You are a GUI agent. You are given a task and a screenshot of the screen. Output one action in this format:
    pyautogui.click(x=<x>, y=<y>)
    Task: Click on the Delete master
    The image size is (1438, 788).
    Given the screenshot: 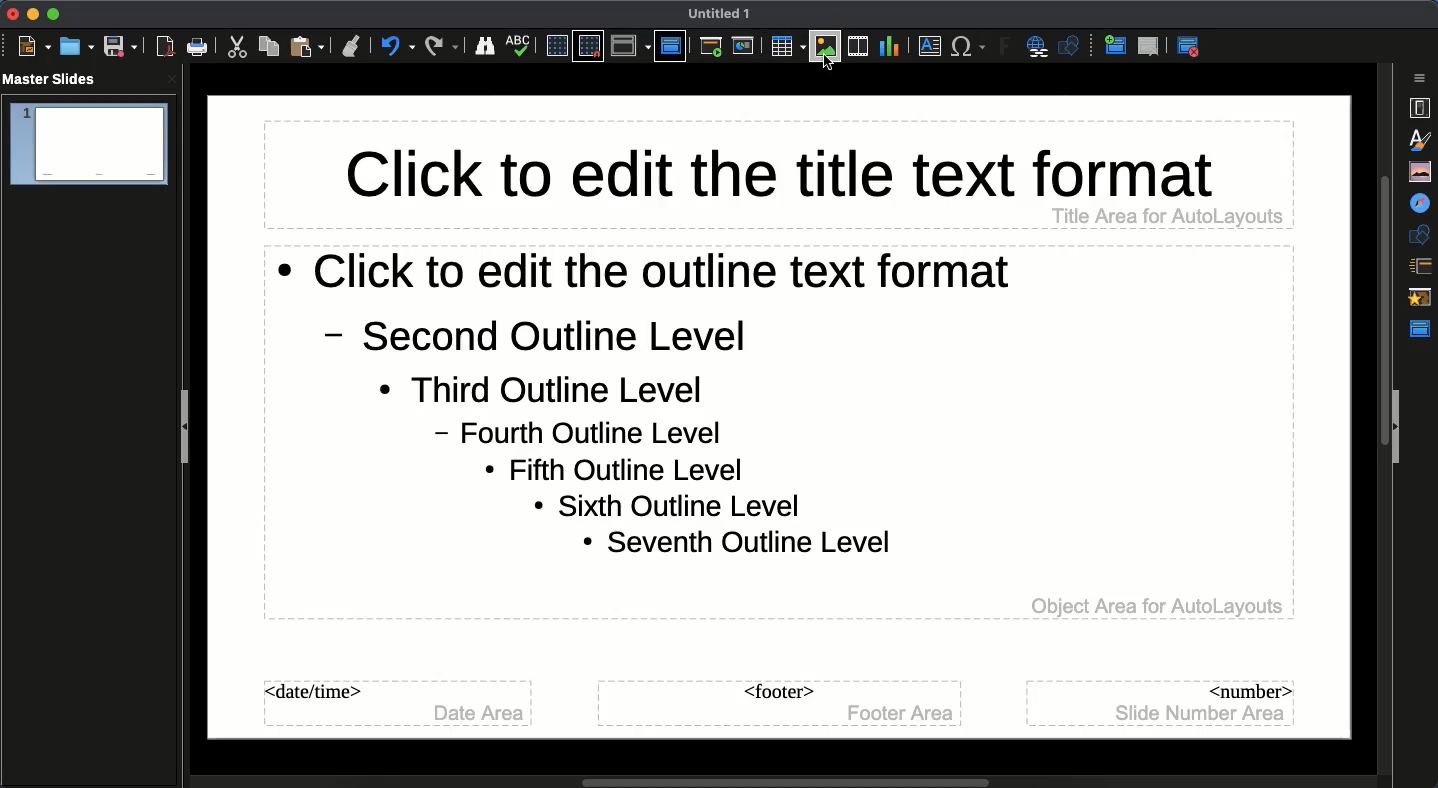 What is the action you would take?
    pyautogui.click(x=1149, y=46)
    